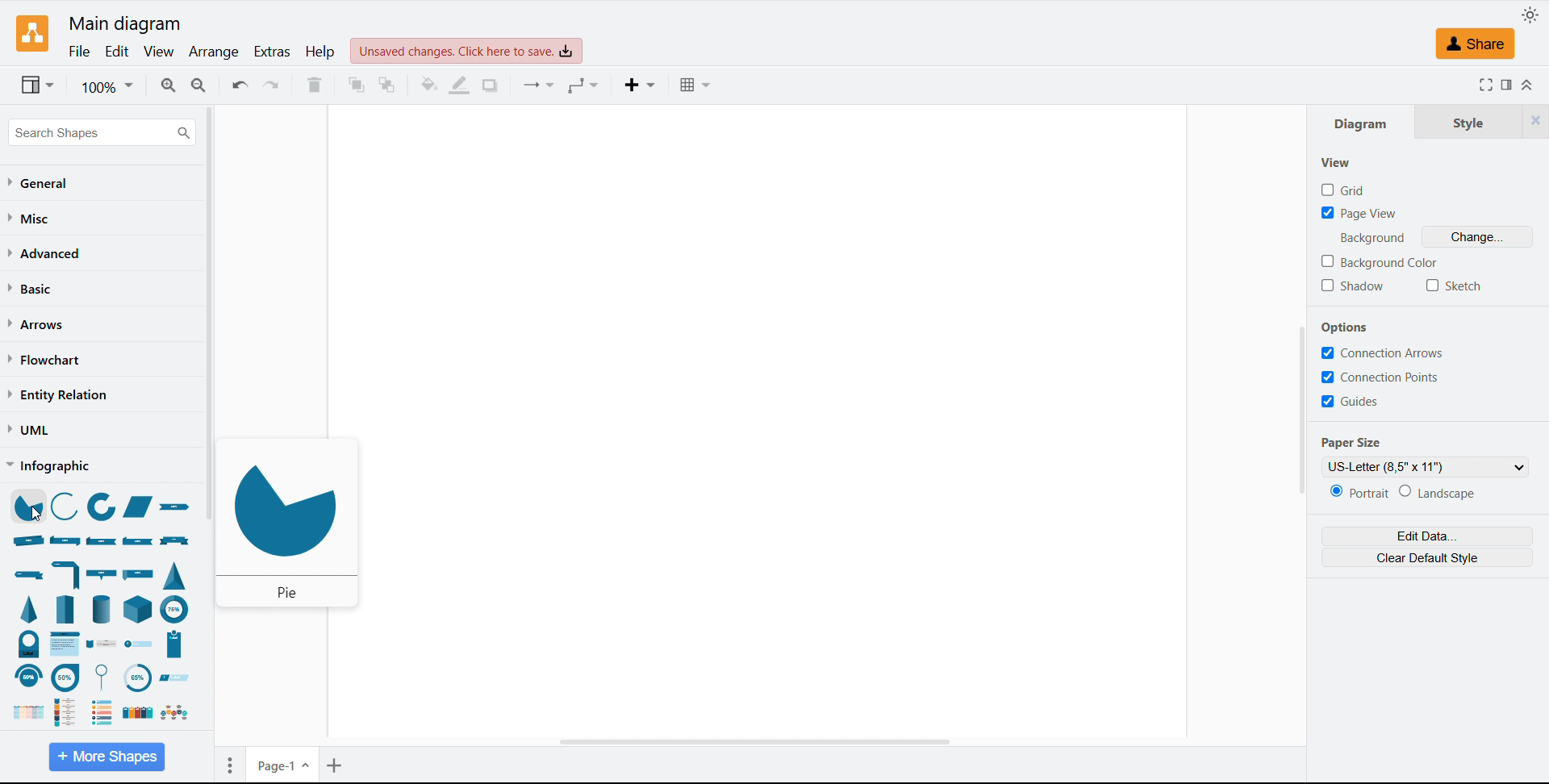 The width and height of the screenshot is (1549, 784). I want to click on cube, so click(136, 611).